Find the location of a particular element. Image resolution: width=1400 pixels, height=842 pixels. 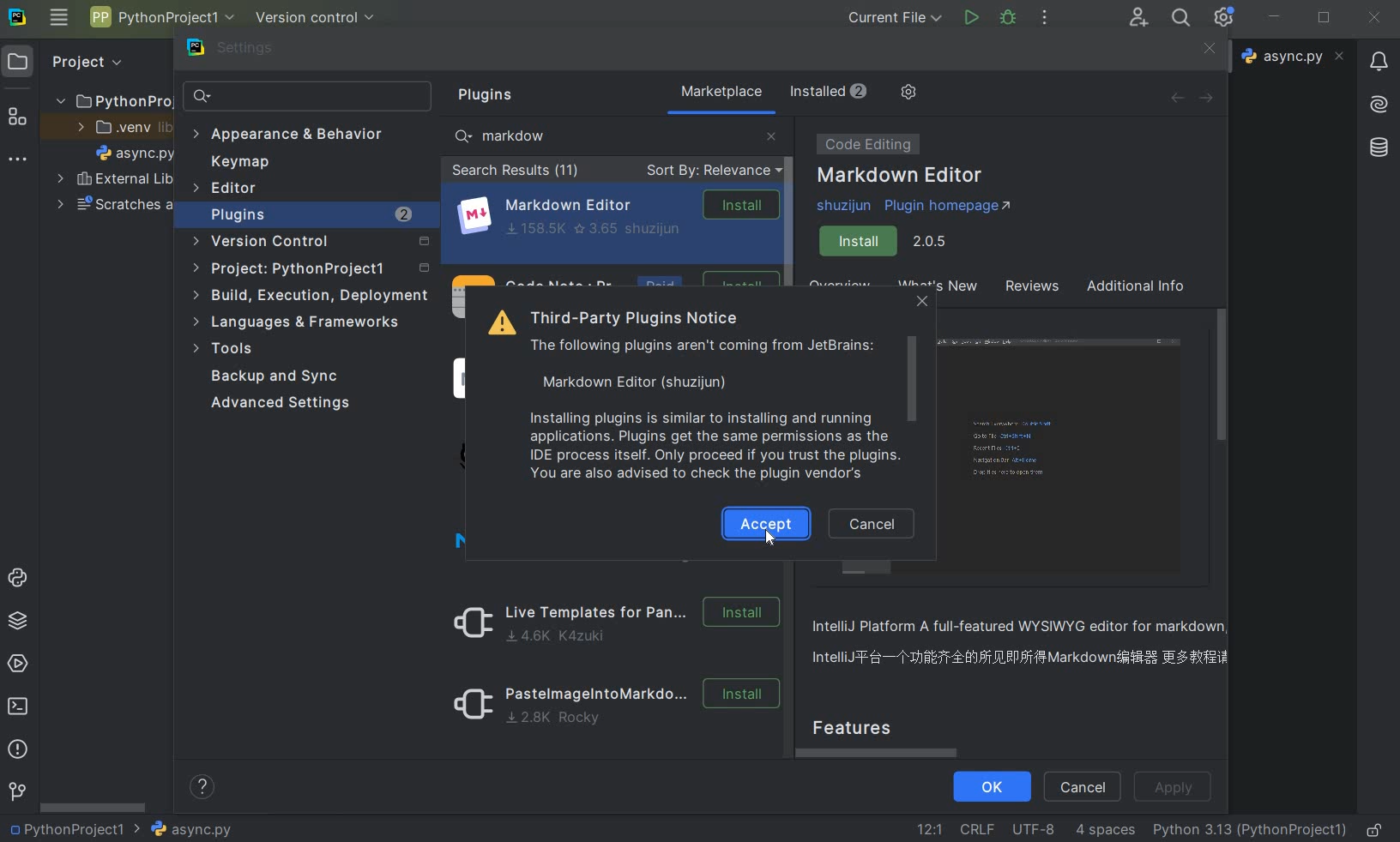

cursor is located at coordinates (769, 539).